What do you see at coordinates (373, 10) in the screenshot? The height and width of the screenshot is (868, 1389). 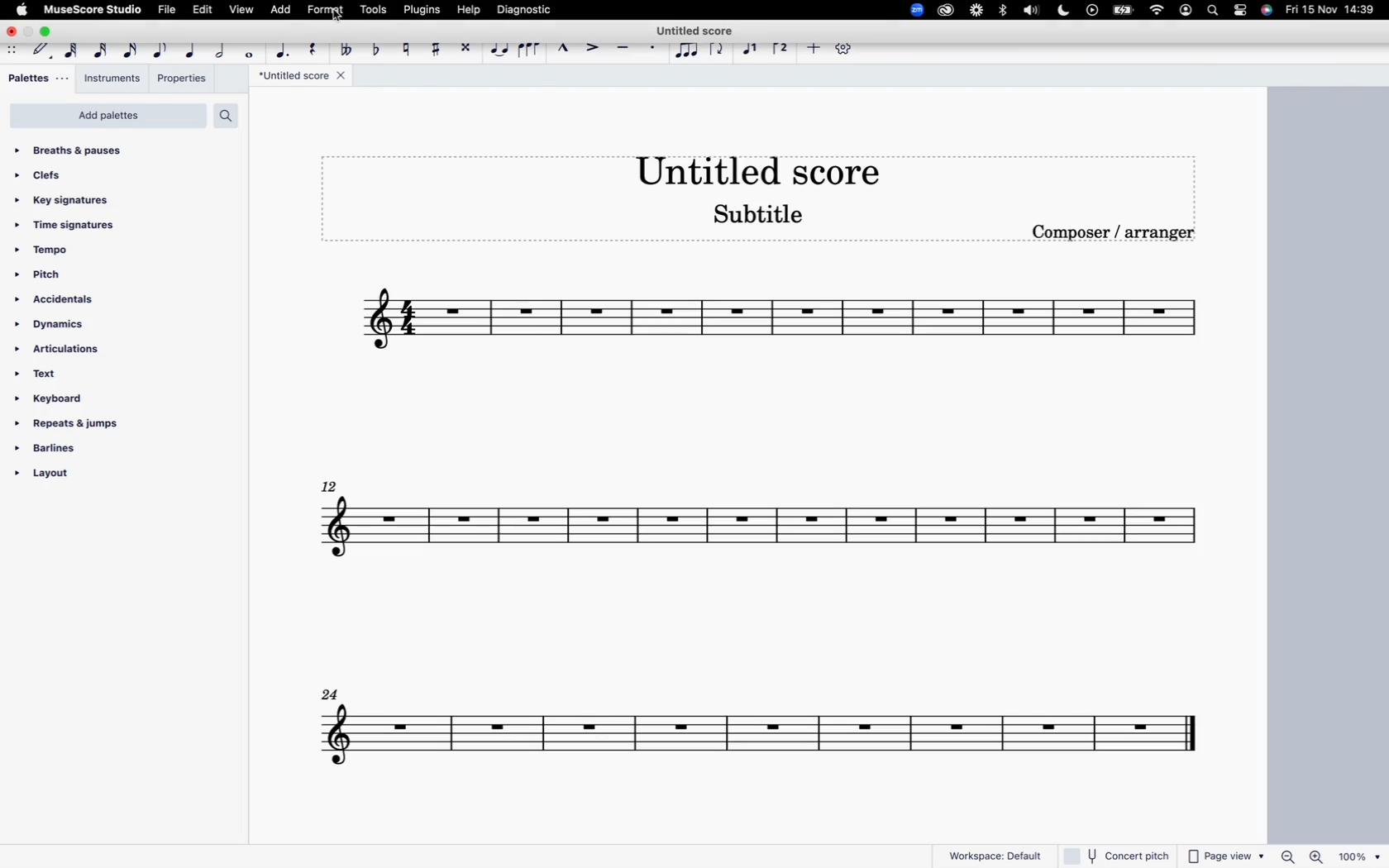 I see `tools` at bounding box center [373, 10].